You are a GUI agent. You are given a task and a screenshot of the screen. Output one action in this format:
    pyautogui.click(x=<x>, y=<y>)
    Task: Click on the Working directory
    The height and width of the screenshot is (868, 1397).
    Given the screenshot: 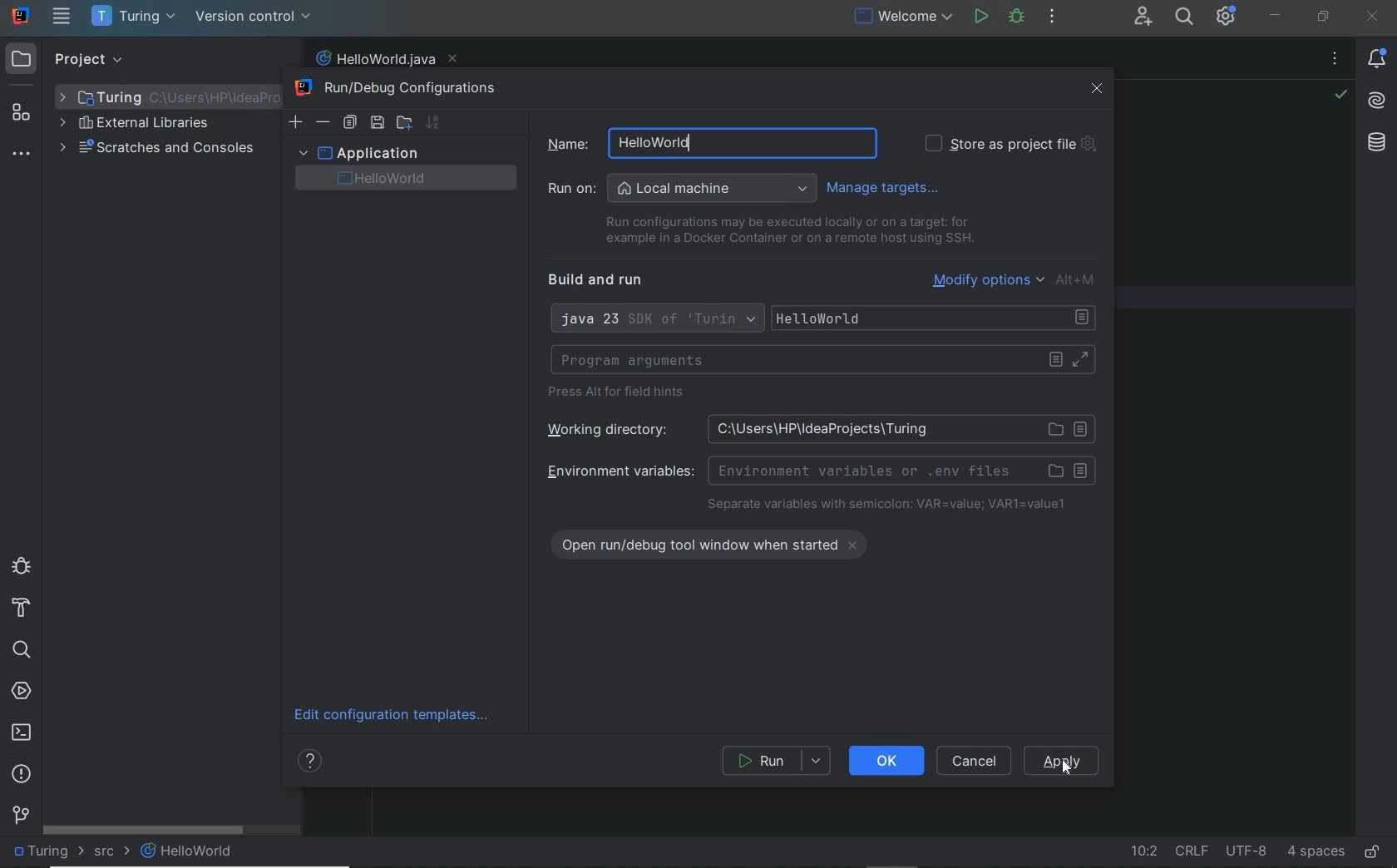 What is the action you would take?
    pyautogui.click(x=815, y=428)
    